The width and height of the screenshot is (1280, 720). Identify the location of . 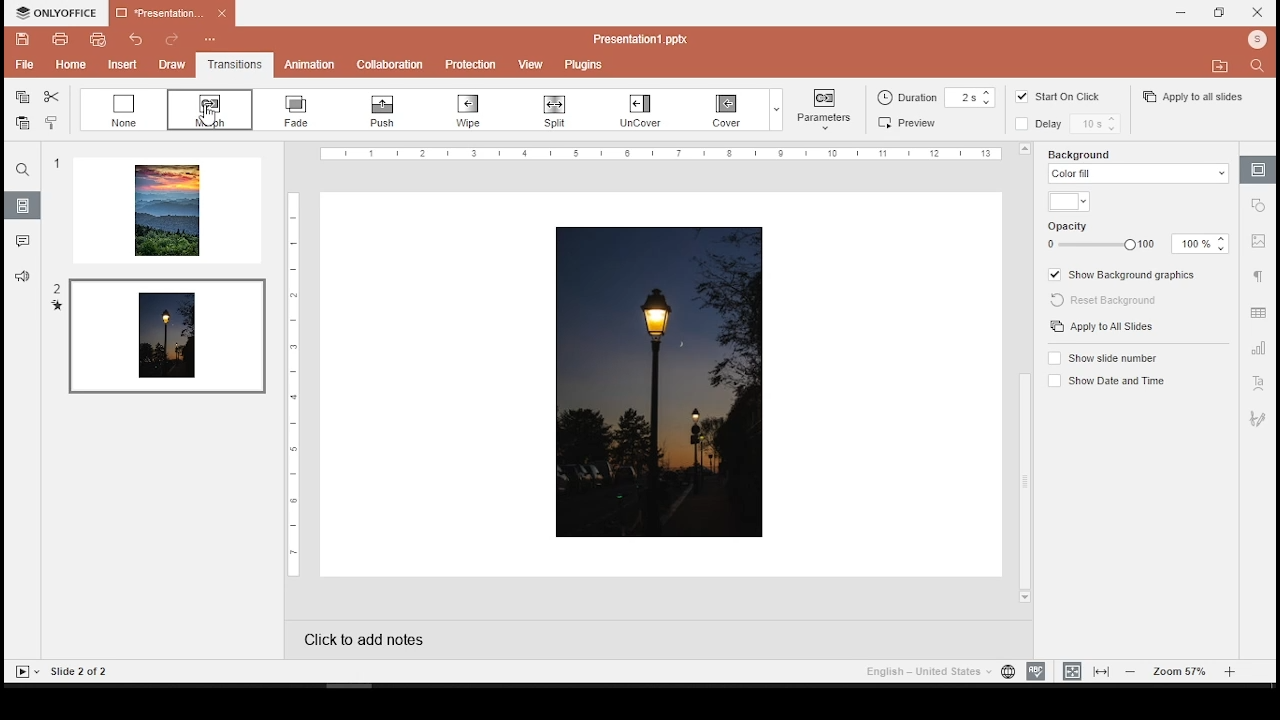
(1261, 209).